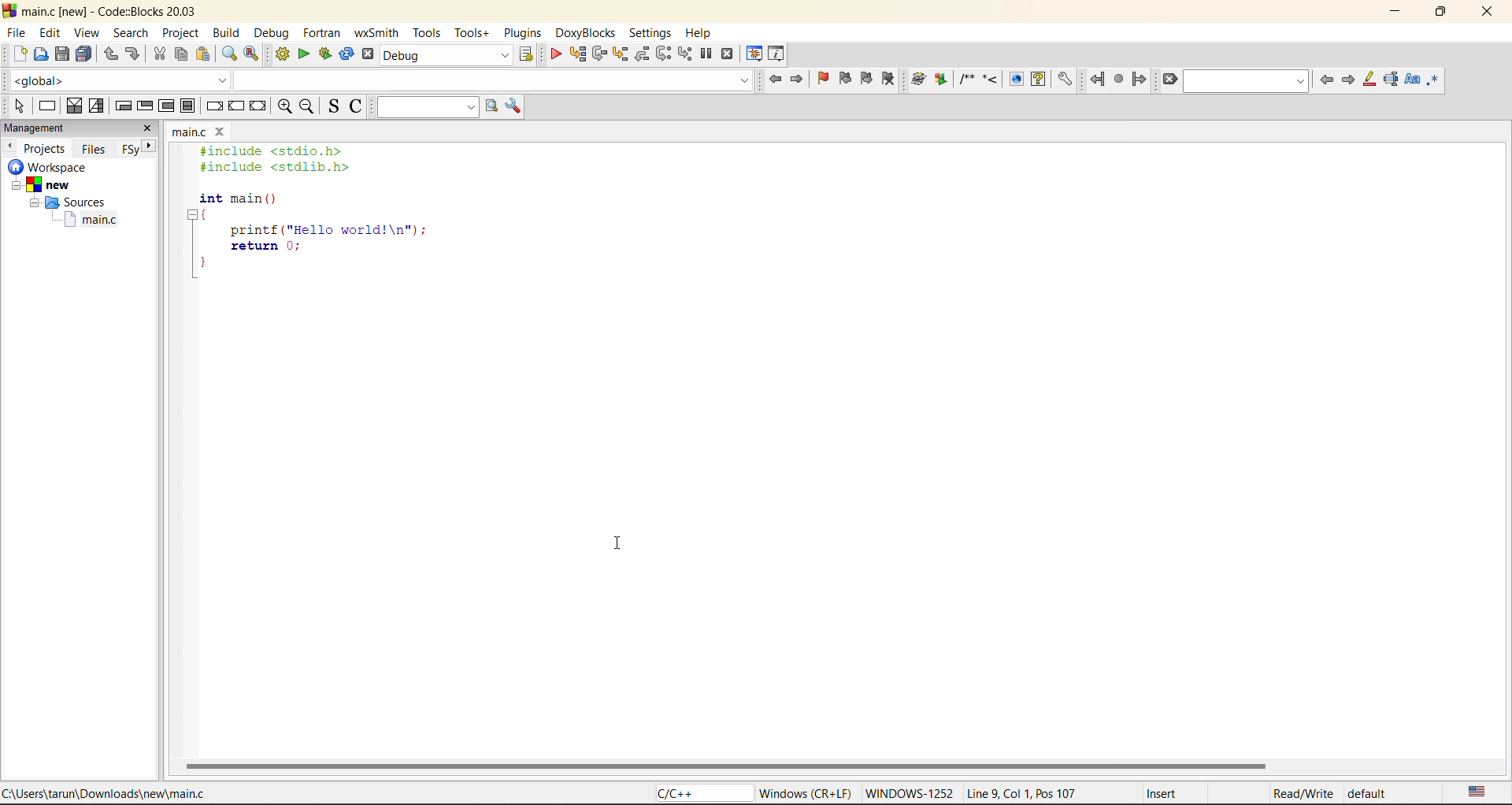 The width and height of the screenshot is (1512, 805). What do you see at coordinates (168, 106) in the screenshot?
I see `counting loop` at bounding box center [168, 106].